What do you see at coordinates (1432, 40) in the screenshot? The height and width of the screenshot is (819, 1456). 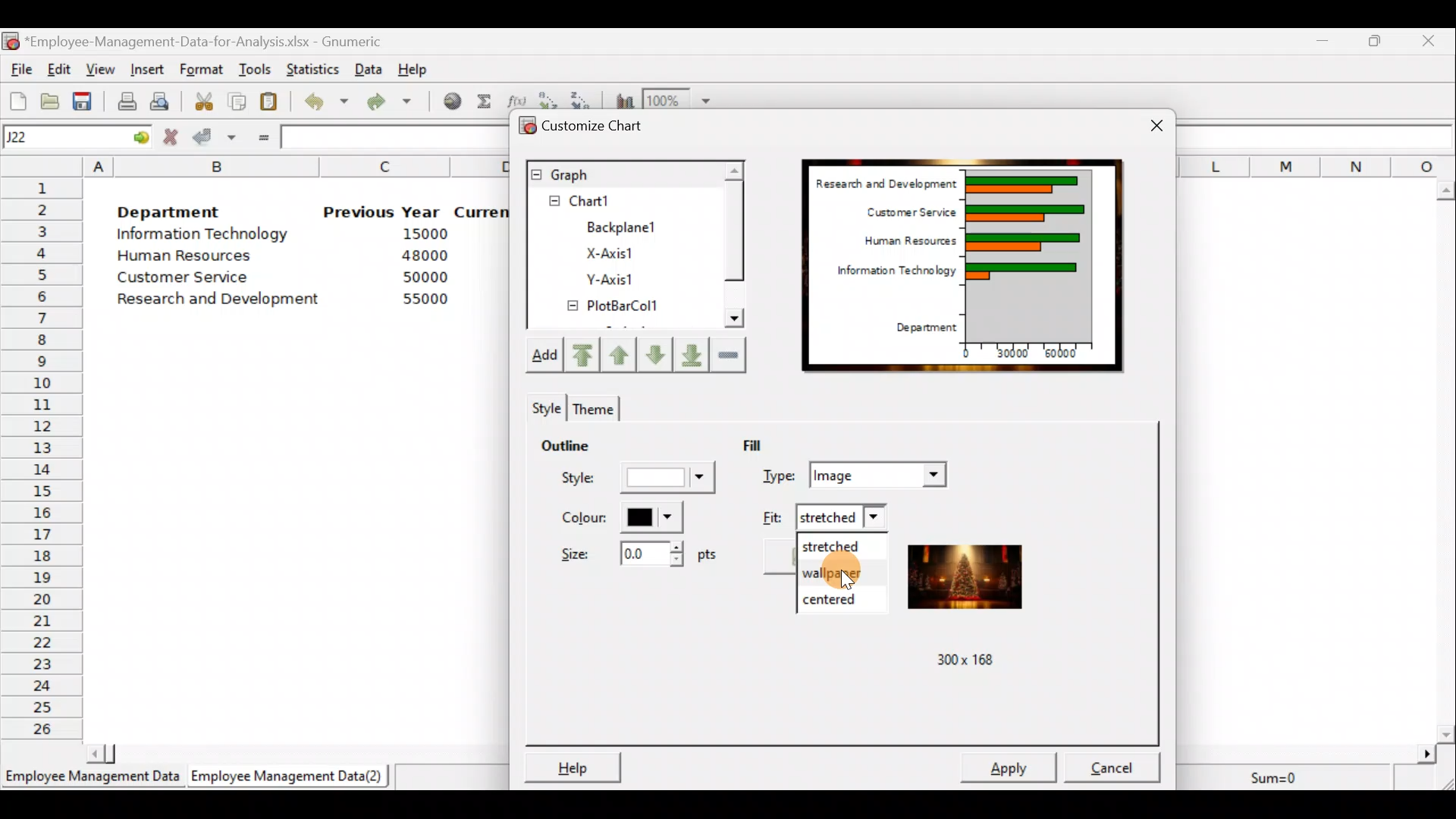 I see `Close` at bounding box center [1432, 40].